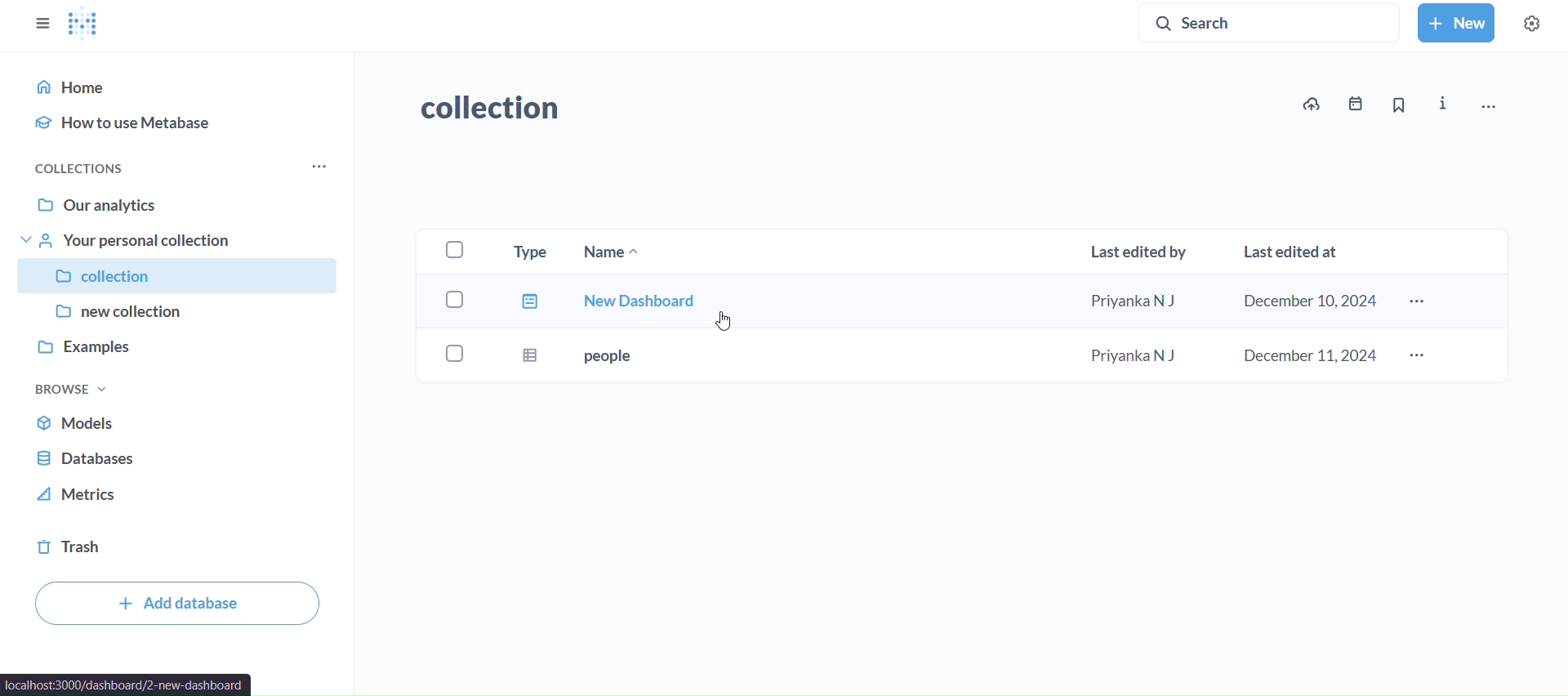 This screenshot has width=1568, height=696. What do you see at coordinates (1418, 303) in the screenshot?
I see `more` at bounding box center [1418, 303].